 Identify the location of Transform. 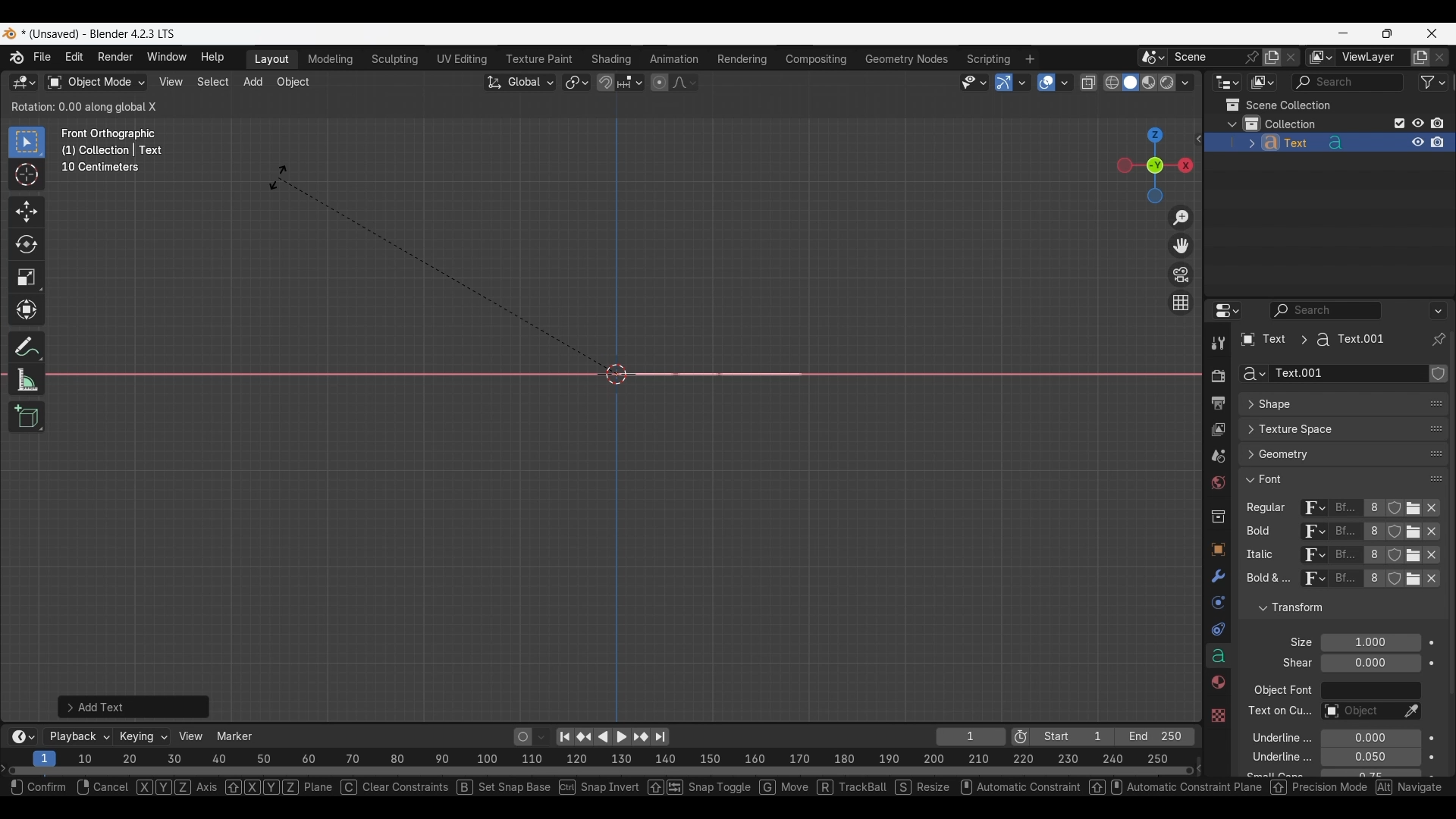
(26, 311).